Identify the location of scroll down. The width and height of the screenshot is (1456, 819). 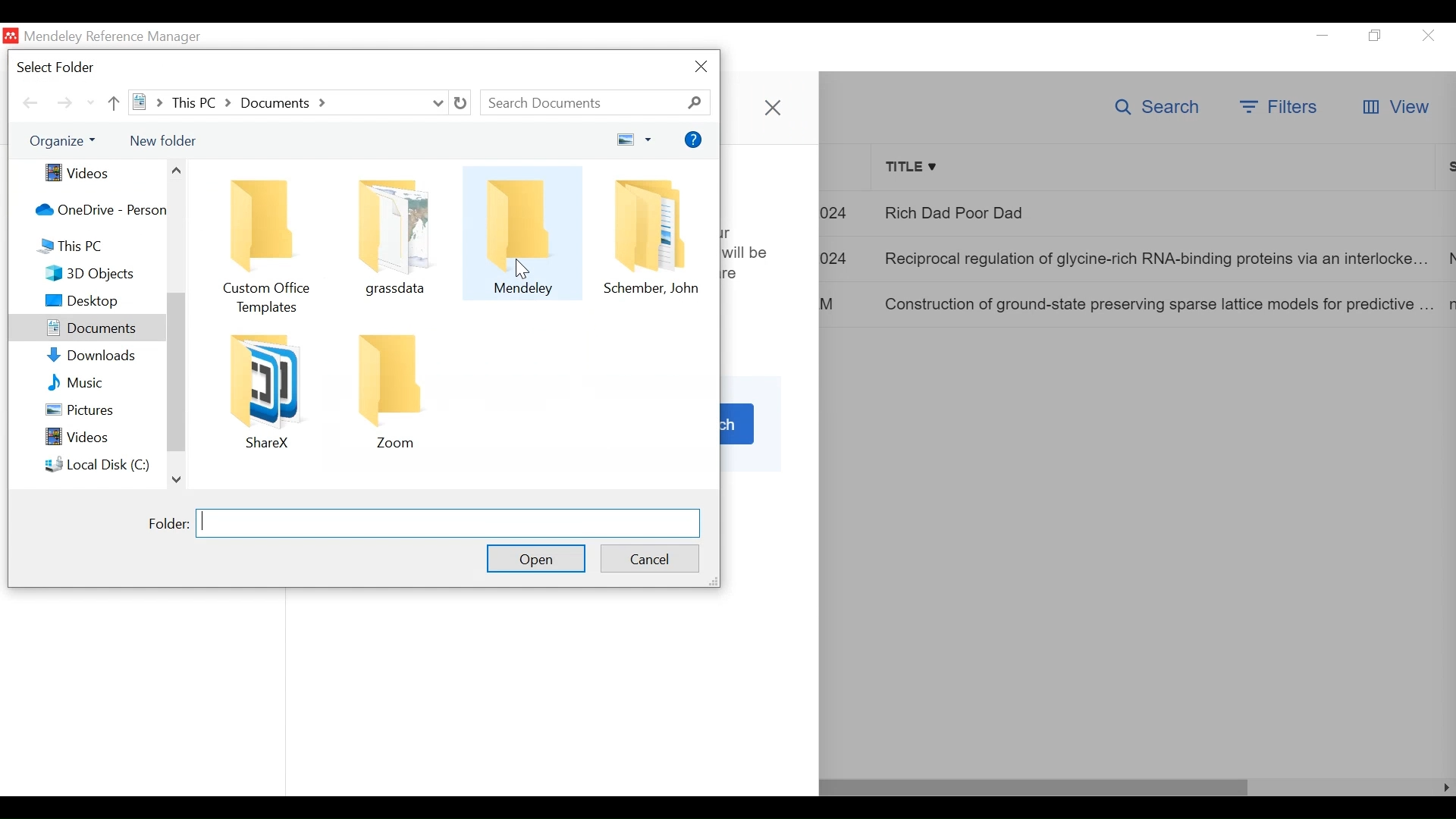
(91, 104).